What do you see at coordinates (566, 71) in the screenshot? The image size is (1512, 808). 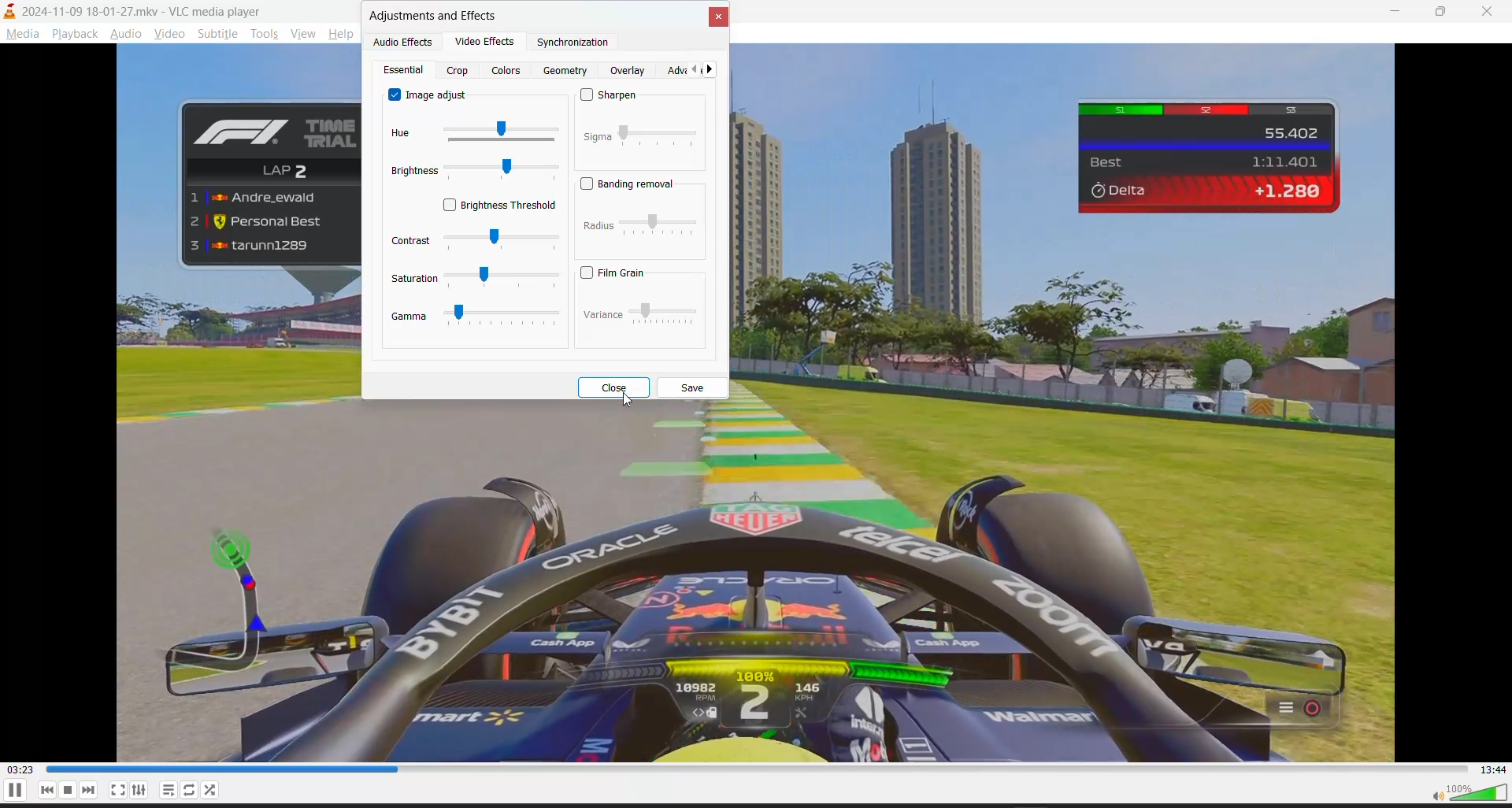 I see `geometry` at bounding box center [566, 71].